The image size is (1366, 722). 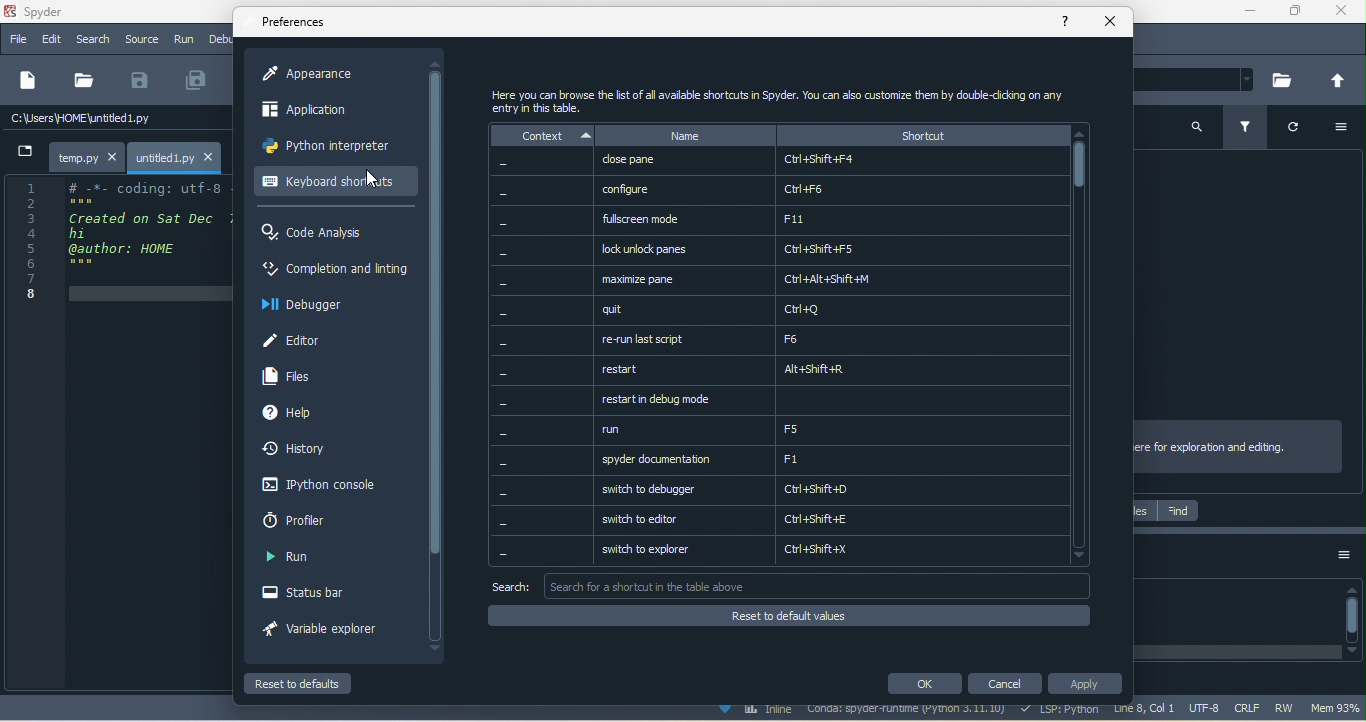 What do you see at coordinates (1337, 708) in the screenshot?
I see `mem 93%` at bounding box center [1337, 708].